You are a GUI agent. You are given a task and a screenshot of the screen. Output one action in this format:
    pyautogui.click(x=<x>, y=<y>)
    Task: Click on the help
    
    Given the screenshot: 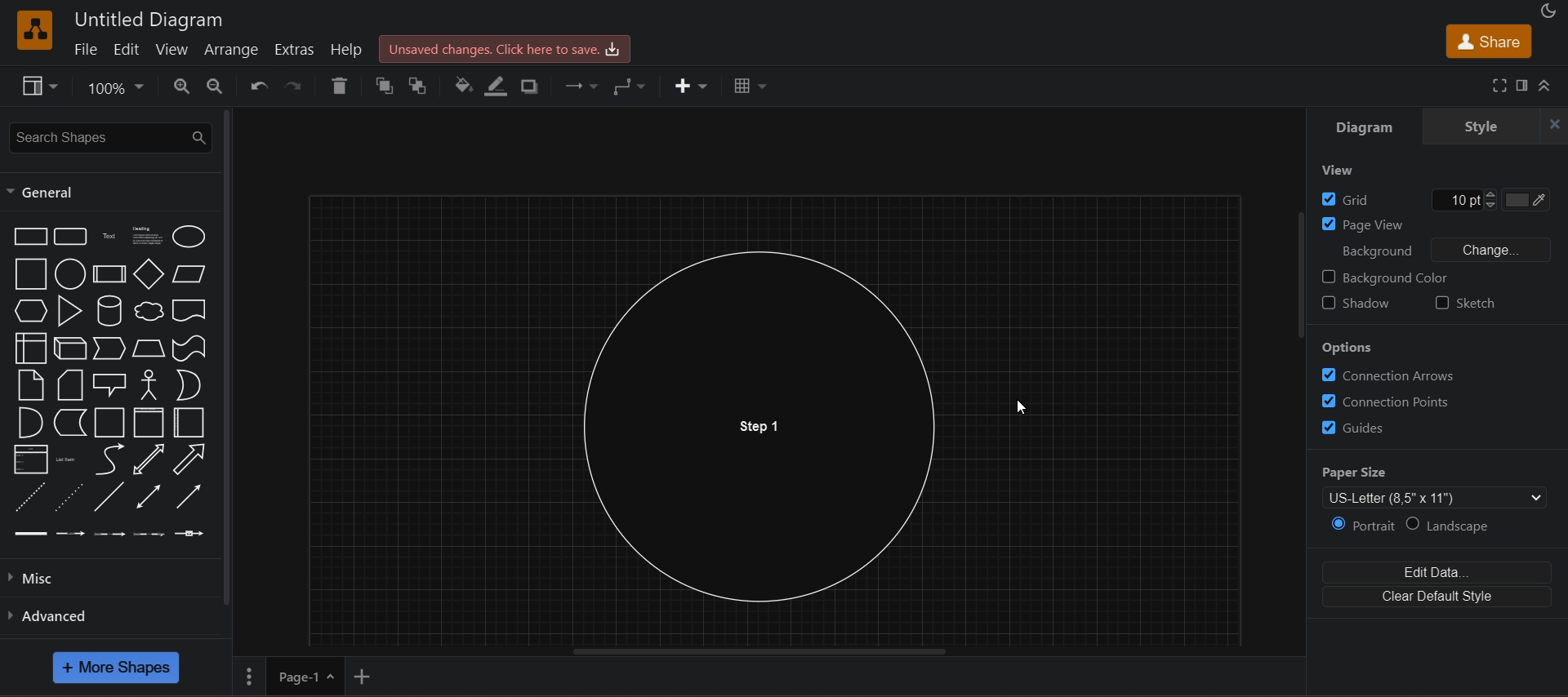 What is the action you would take?
    pyautogui.click(x=348, y=50)
    